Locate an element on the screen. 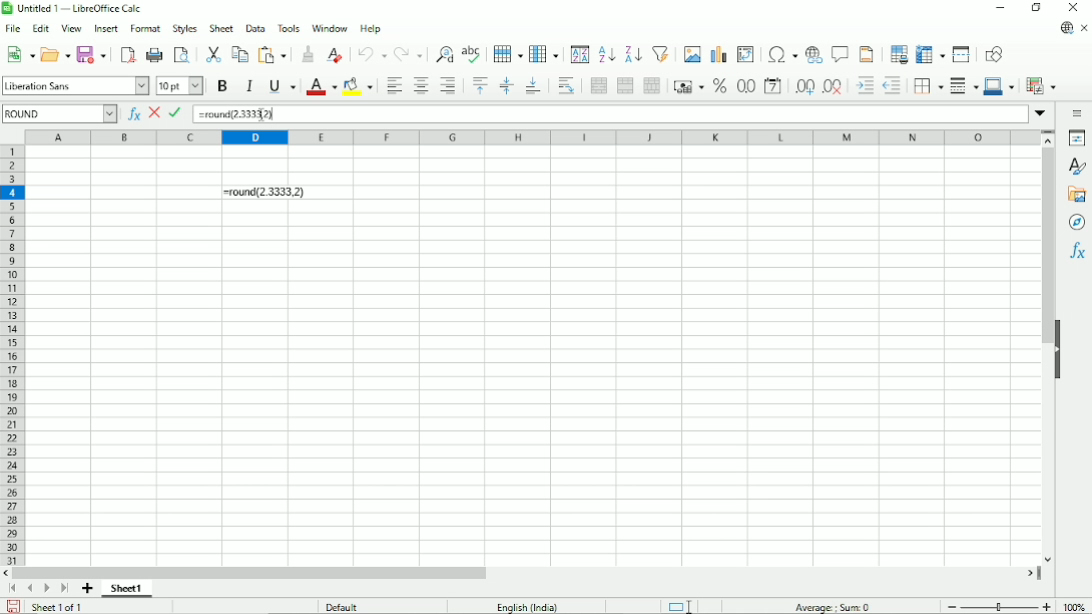 This screenshot has height=614, width=1092. Split window is located at coordinates (961, 54).